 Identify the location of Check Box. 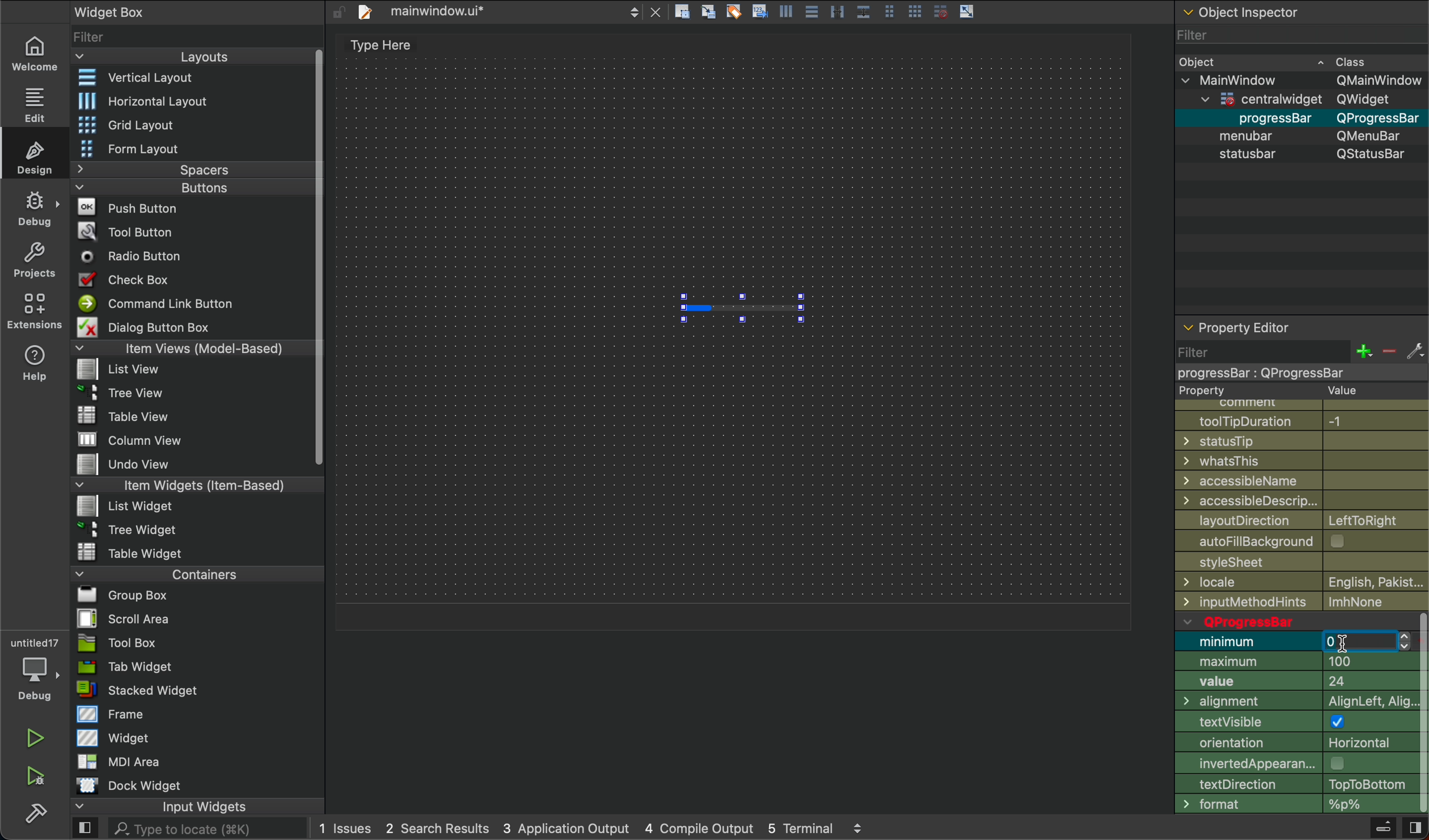
(138, 279).